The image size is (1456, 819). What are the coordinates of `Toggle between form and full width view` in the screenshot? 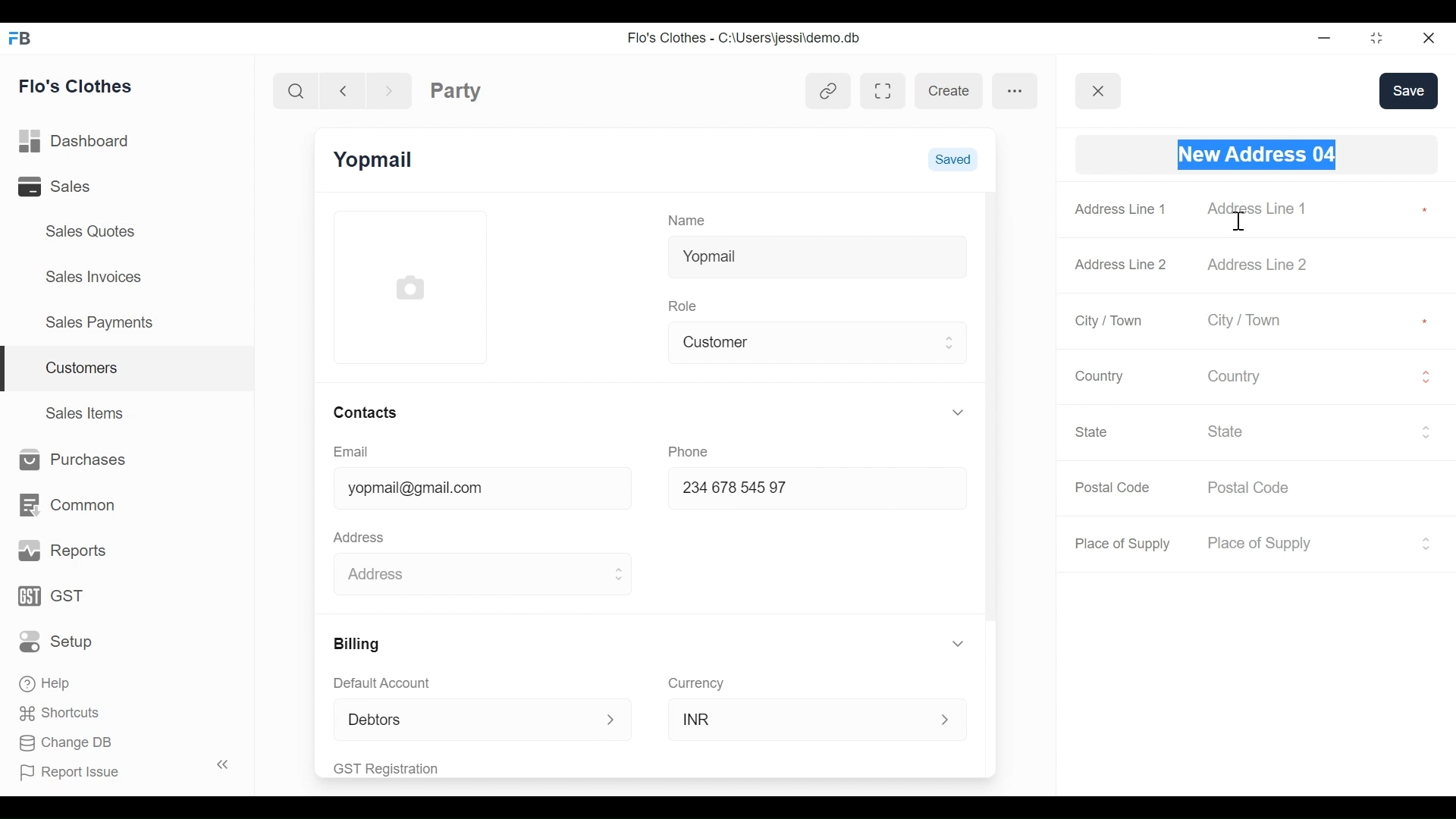 It's located at (883, 91).